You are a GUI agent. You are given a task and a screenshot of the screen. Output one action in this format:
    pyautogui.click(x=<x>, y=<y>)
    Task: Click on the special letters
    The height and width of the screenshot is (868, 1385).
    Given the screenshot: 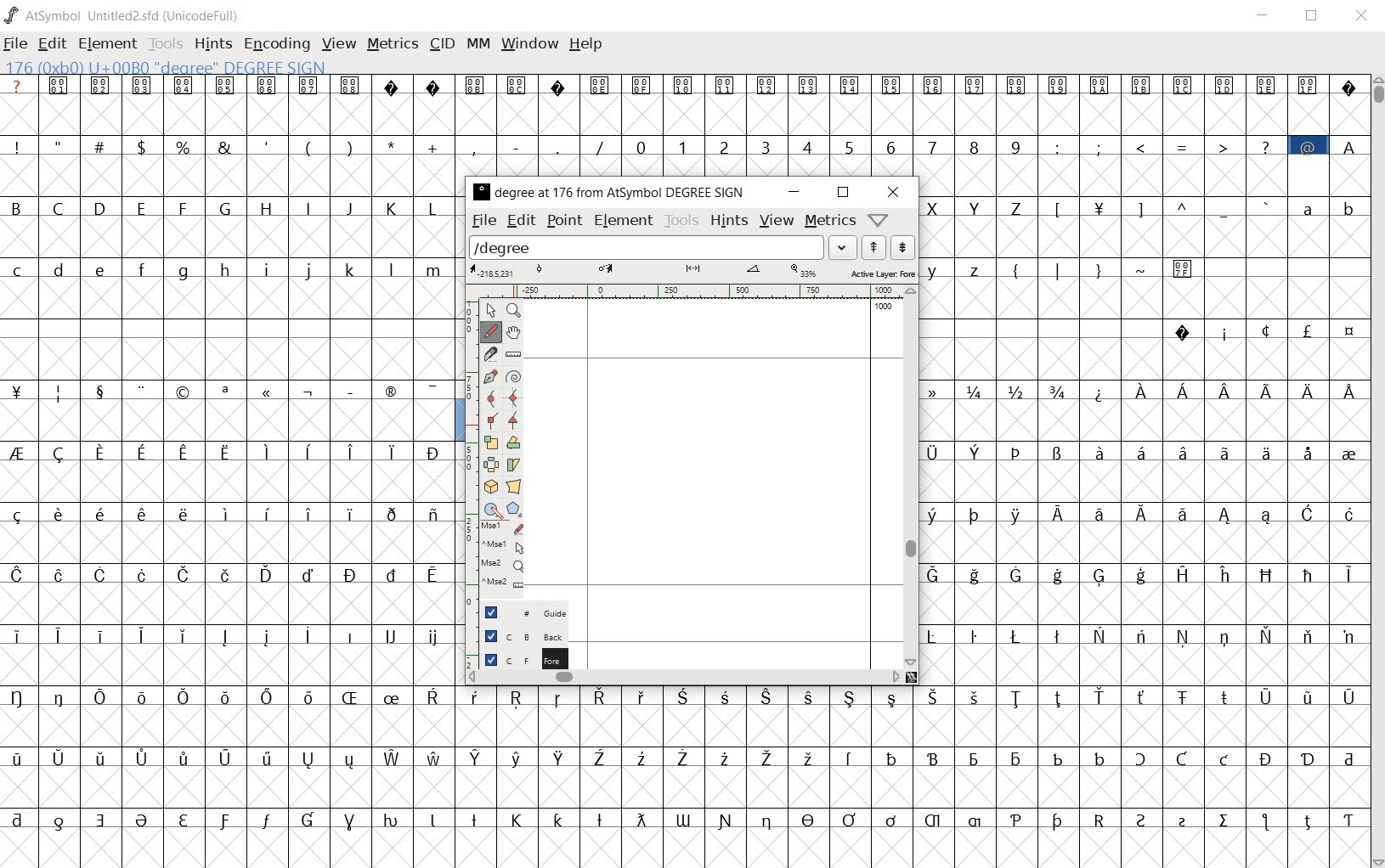 What is the action you would take?
    pyautogui.click(x=227, y=695)
    